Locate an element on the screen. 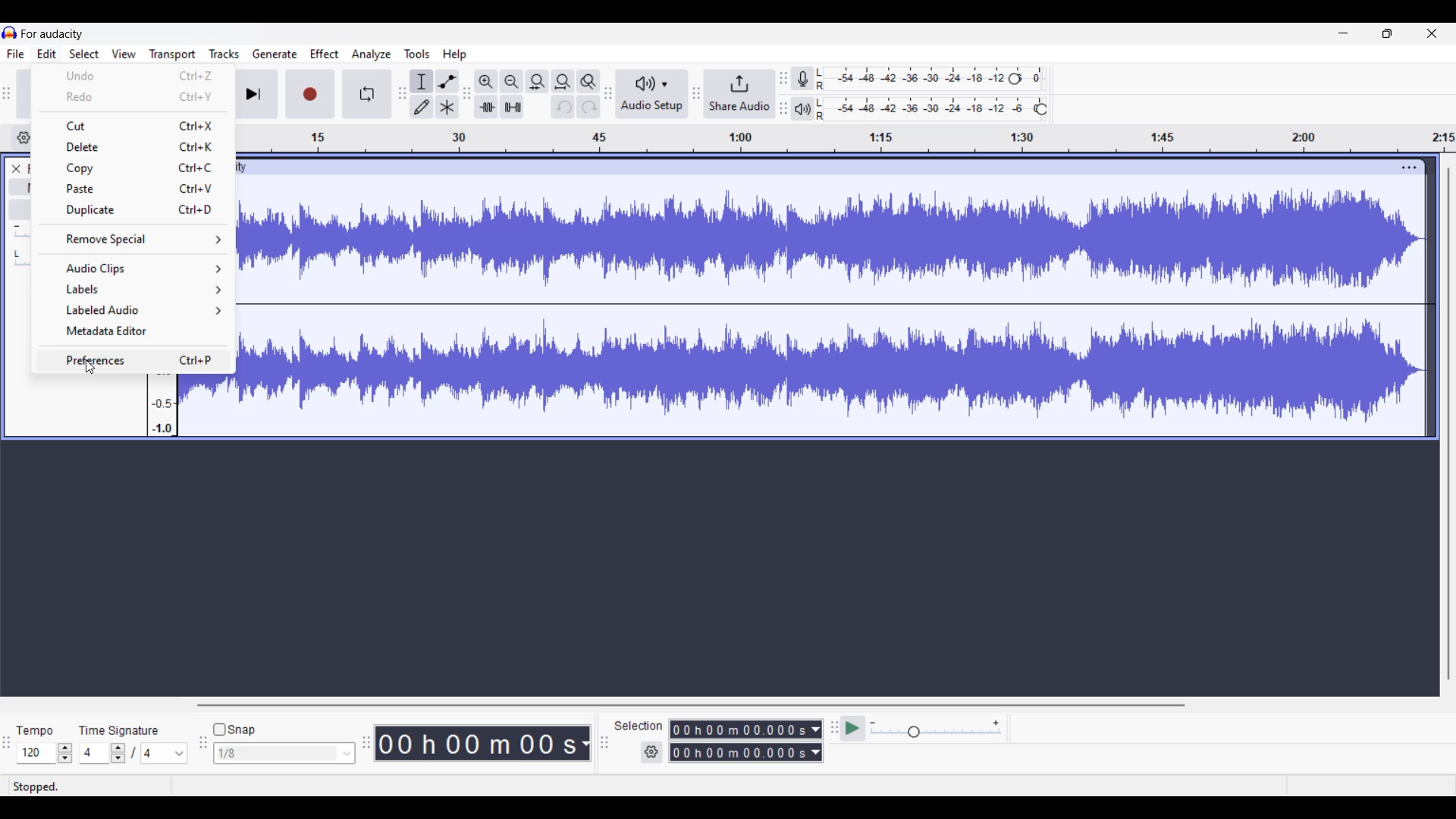 This screenshot has width=1456, height=819. Zoom toggle is located at coordinates (588, 82).